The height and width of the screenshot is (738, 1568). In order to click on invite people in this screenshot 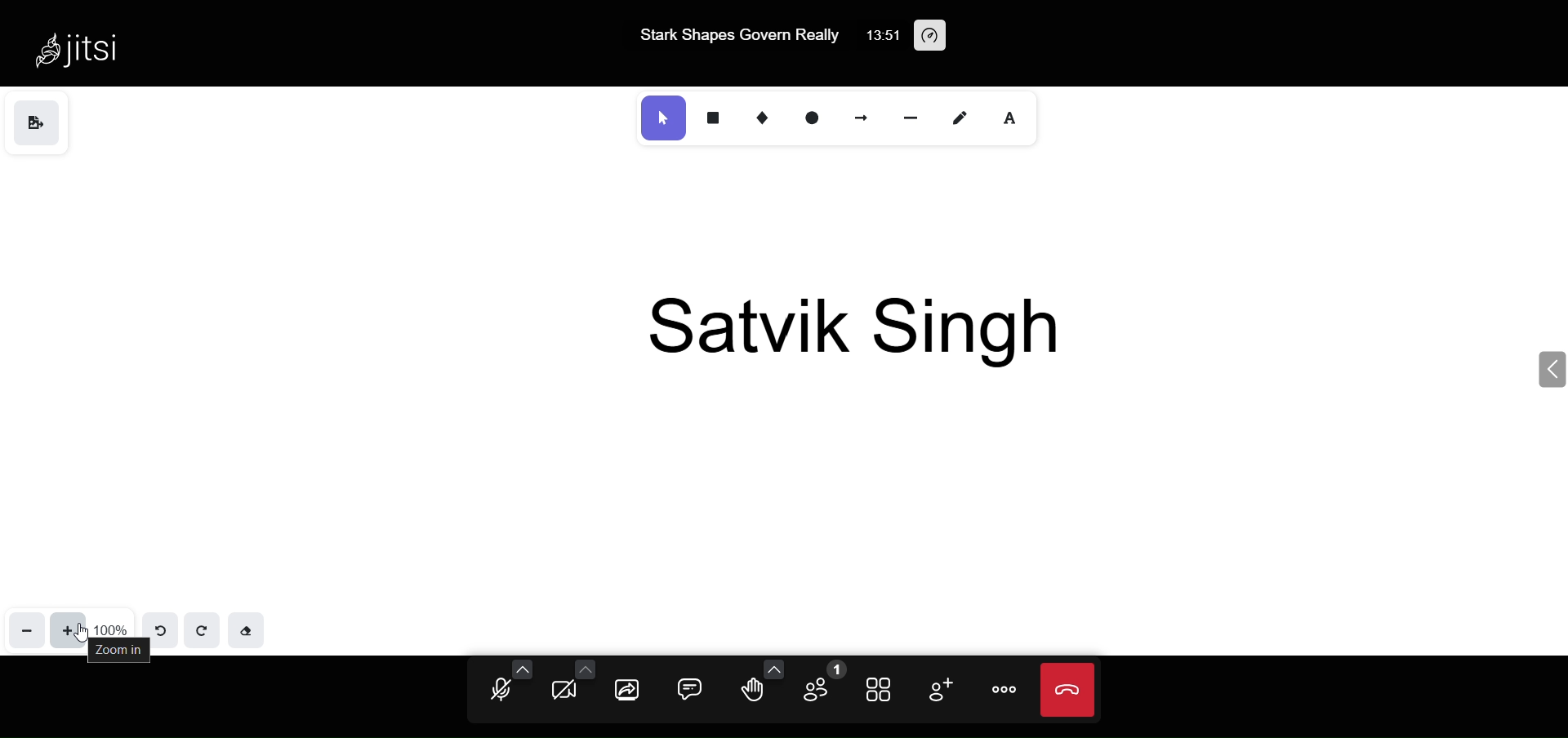, I will do `click(941, 688)`.